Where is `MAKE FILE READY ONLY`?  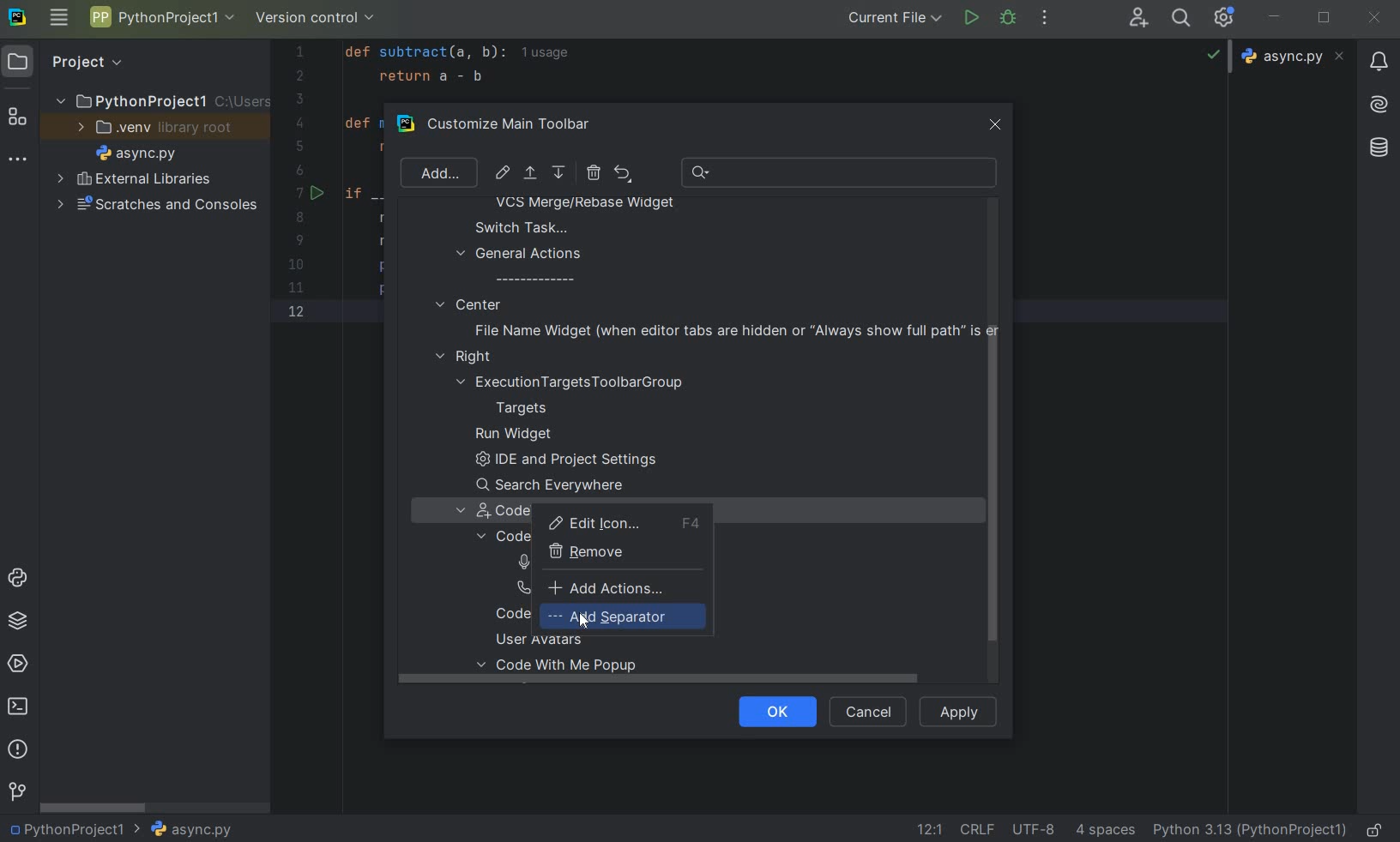
MAKE FILE READY ONLY is located at coordinates (1378, 828).